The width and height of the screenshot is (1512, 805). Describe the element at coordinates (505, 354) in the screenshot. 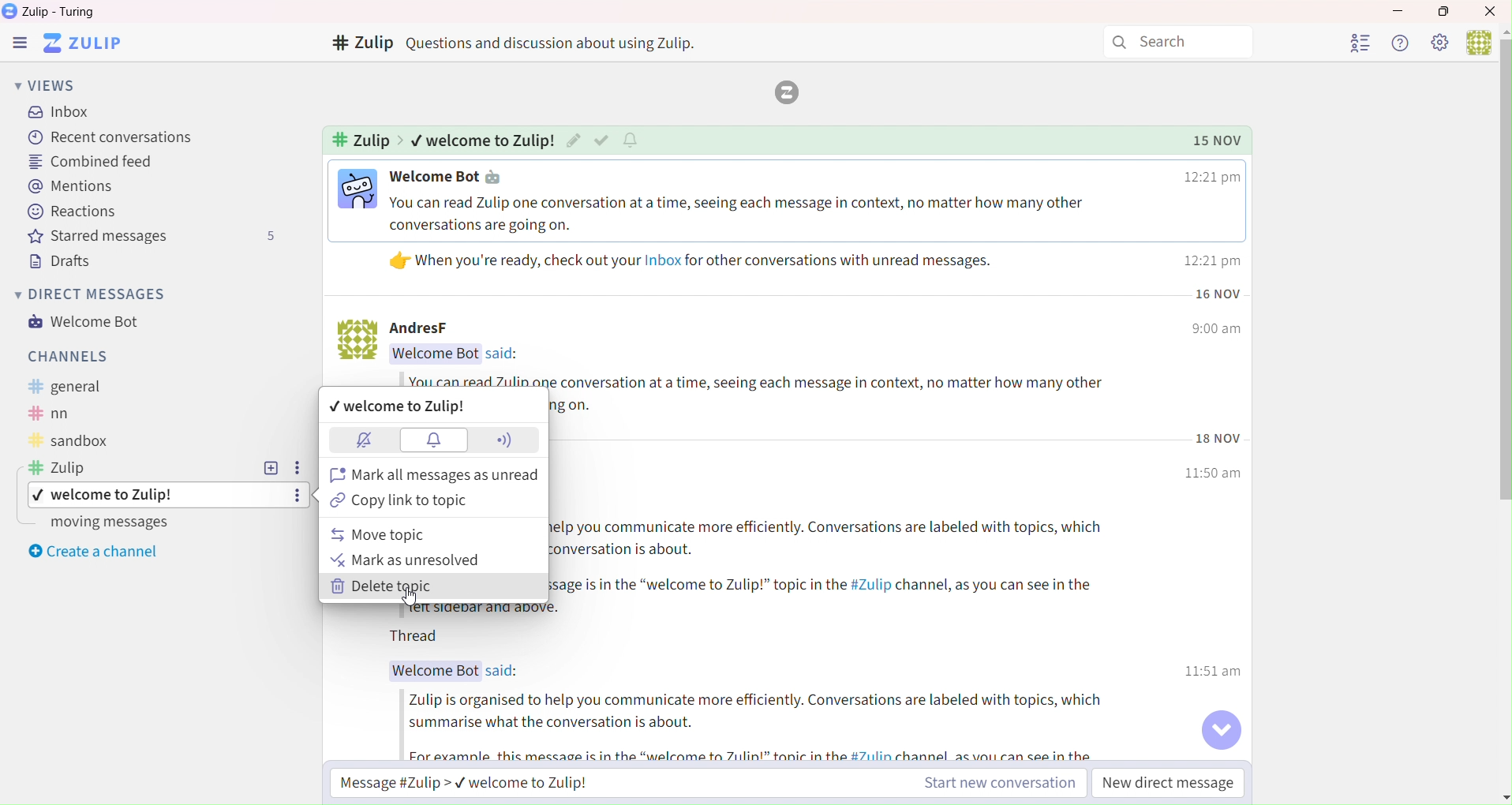

I see `Text` at that location.